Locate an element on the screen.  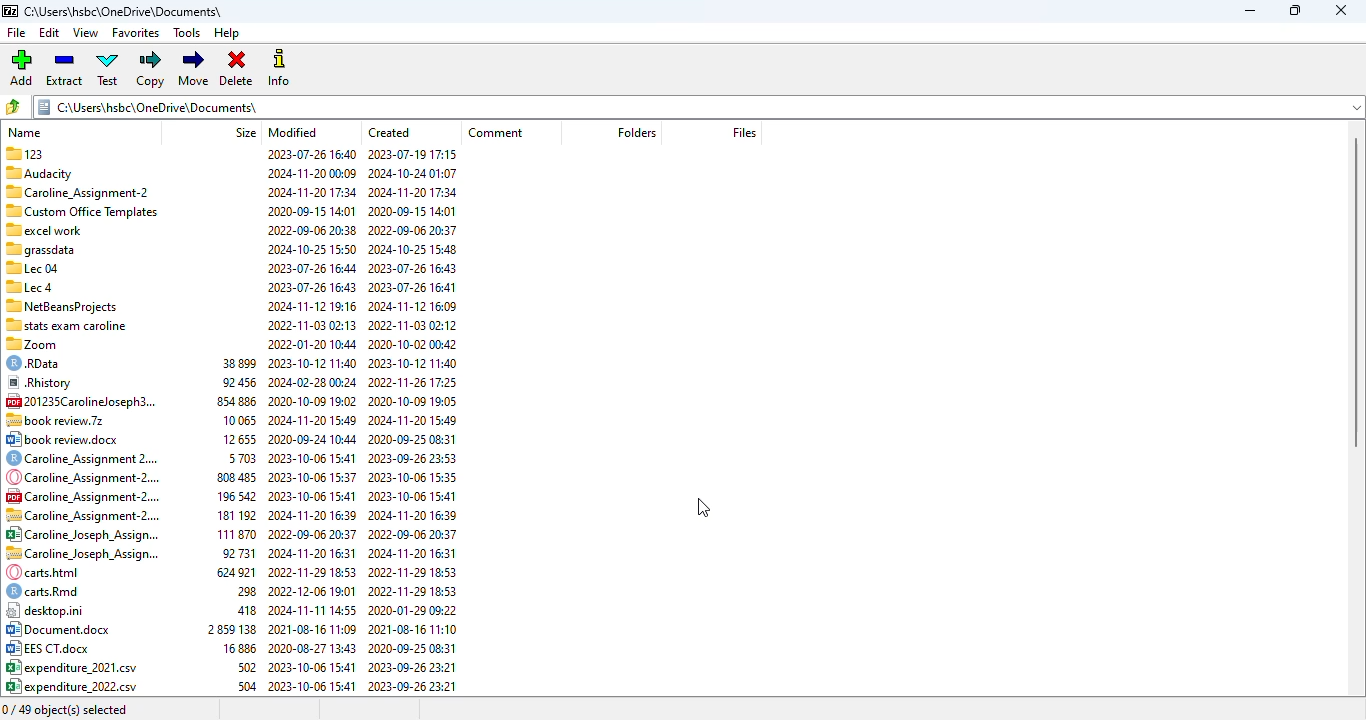
| ™1 NetBeansProjects 2024-11-12 19:16 2024-11-12 16:09 is located at coordinates (228, 285).